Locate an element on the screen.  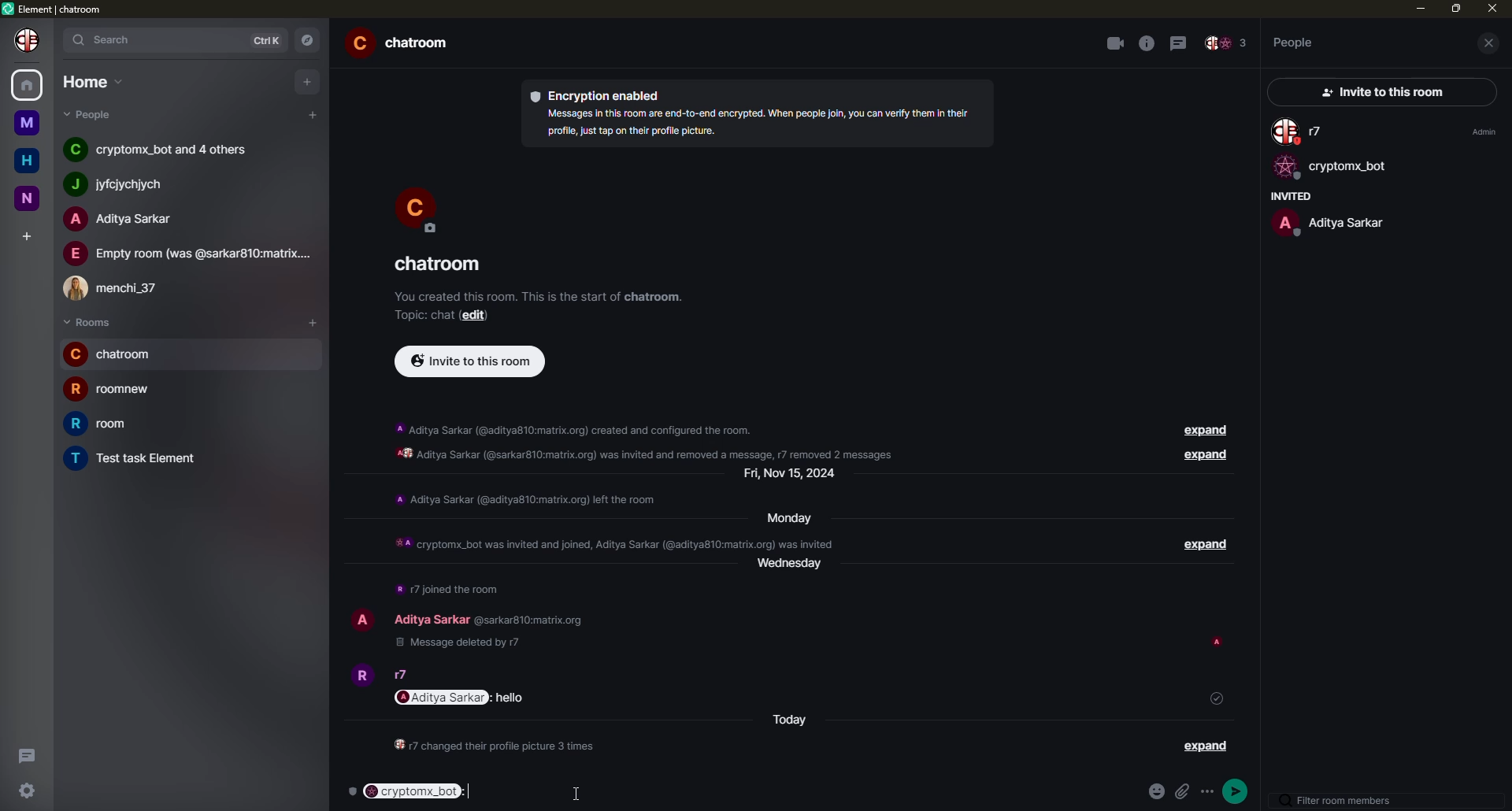
id is located at coordinates (527, 621).